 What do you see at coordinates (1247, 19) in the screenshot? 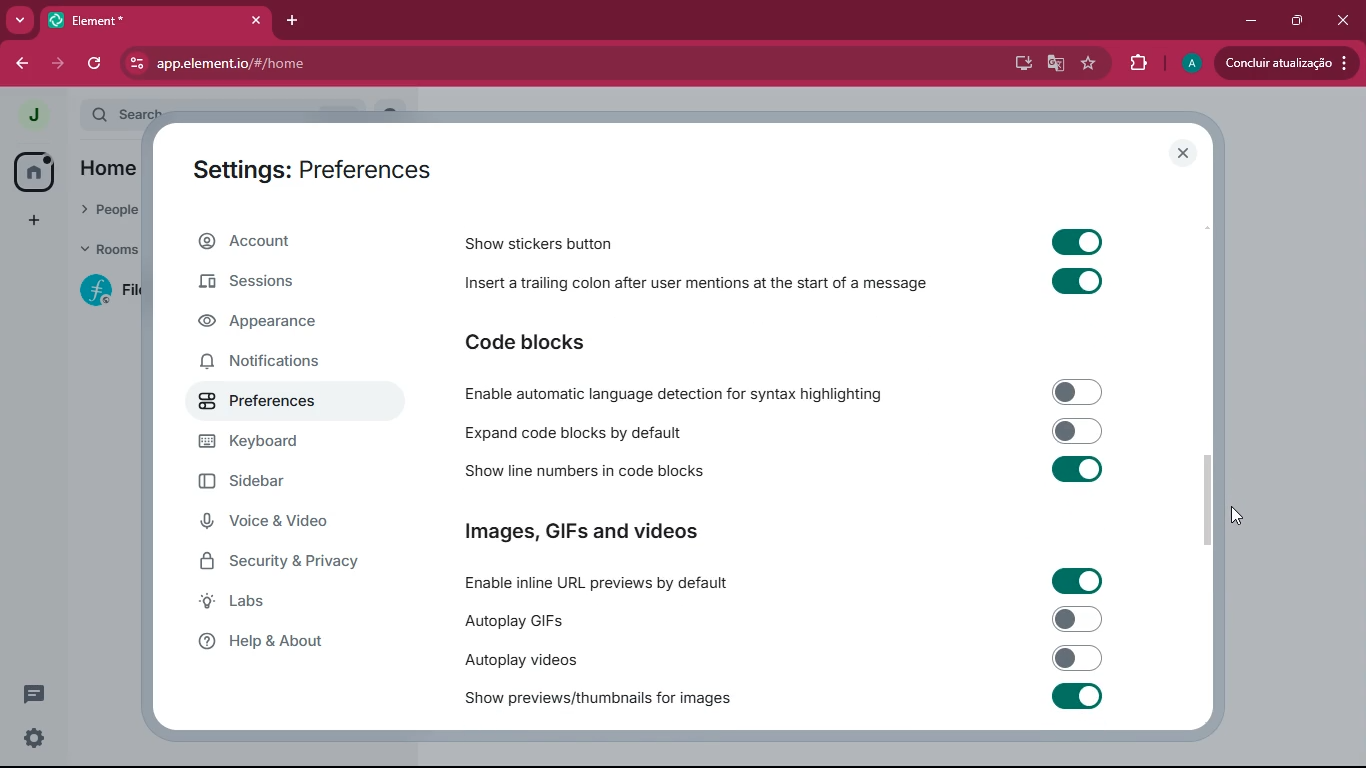
I see `minimize` at bounding box center [1247, 19].